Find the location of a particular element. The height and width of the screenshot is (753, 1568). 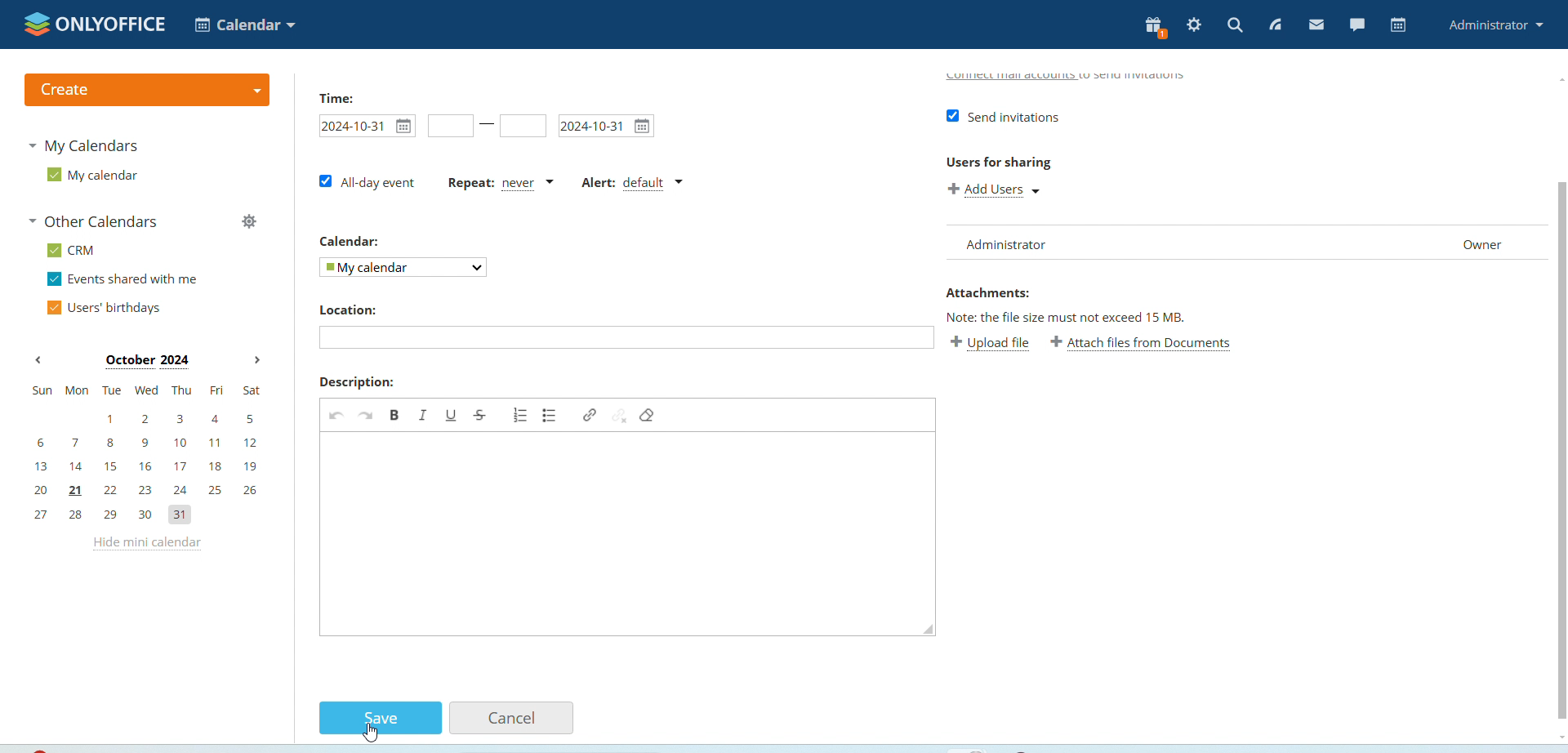

bold is located at coordinates (395, 414).